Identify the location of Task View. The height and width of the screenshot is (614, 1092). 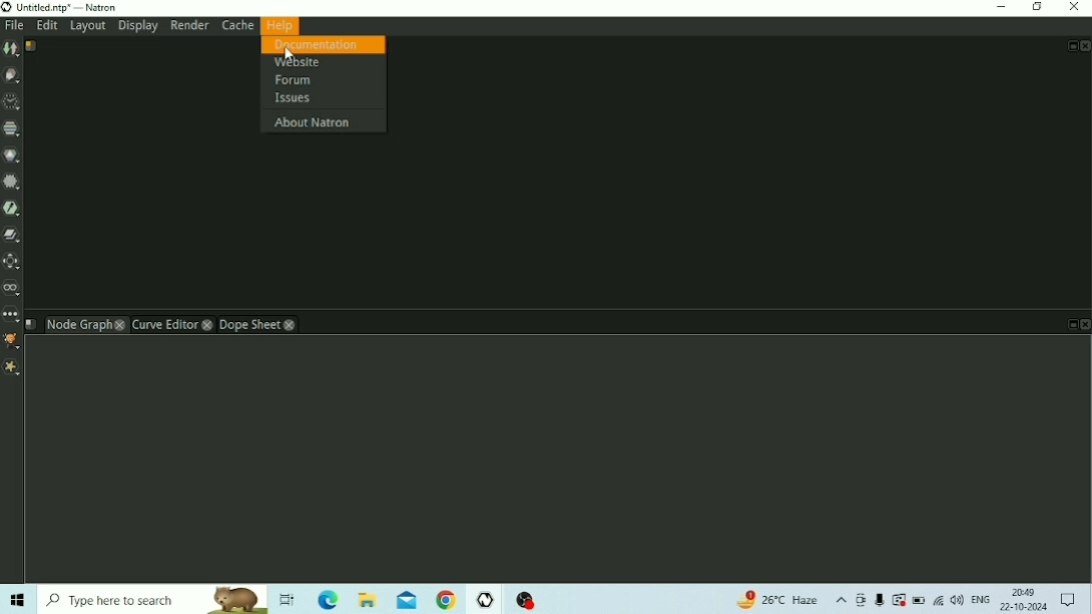
(289, 600).